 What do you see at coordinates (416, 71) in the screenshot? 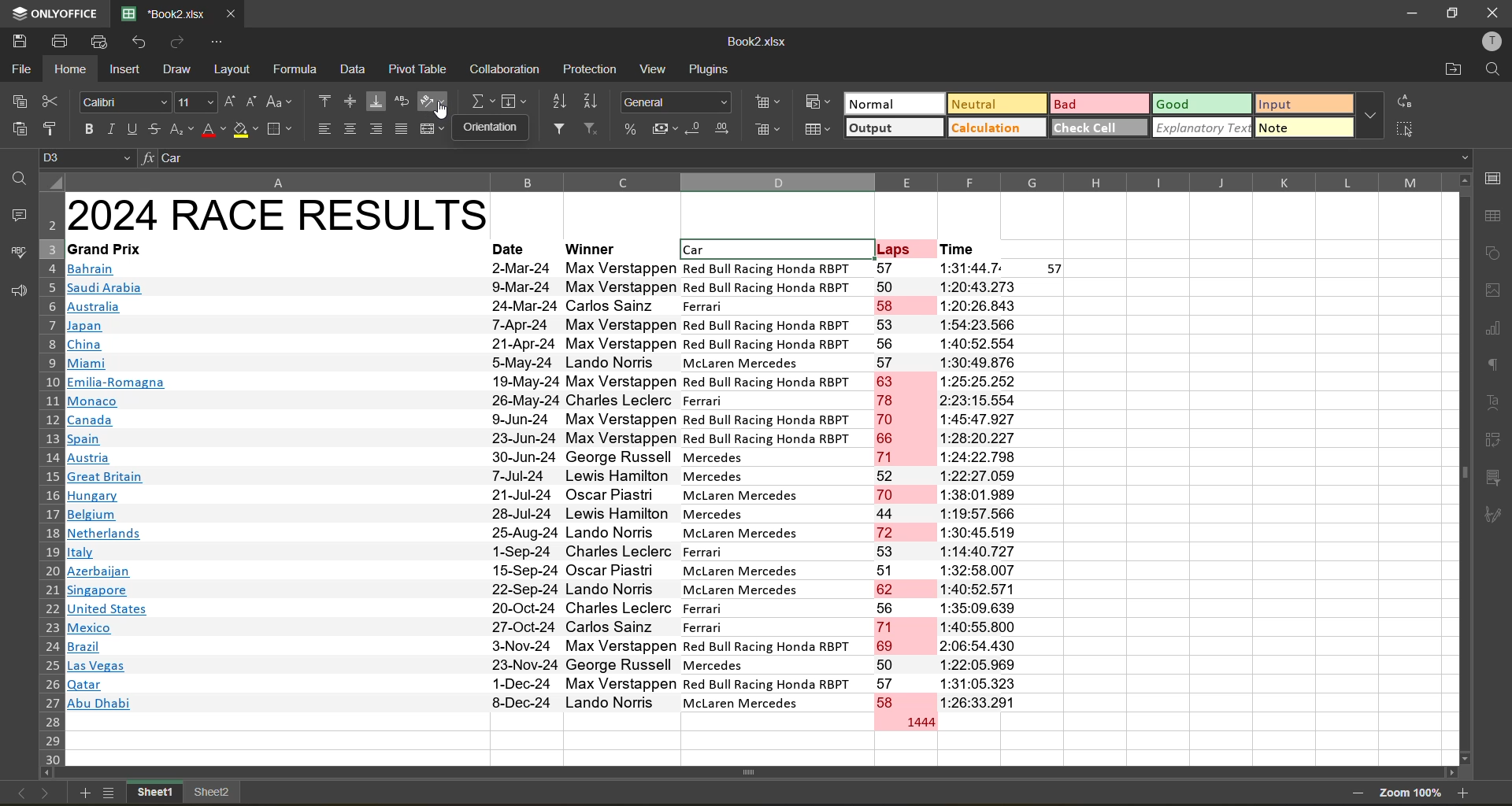
I see `pivot table` at bounding box center [416, 71].